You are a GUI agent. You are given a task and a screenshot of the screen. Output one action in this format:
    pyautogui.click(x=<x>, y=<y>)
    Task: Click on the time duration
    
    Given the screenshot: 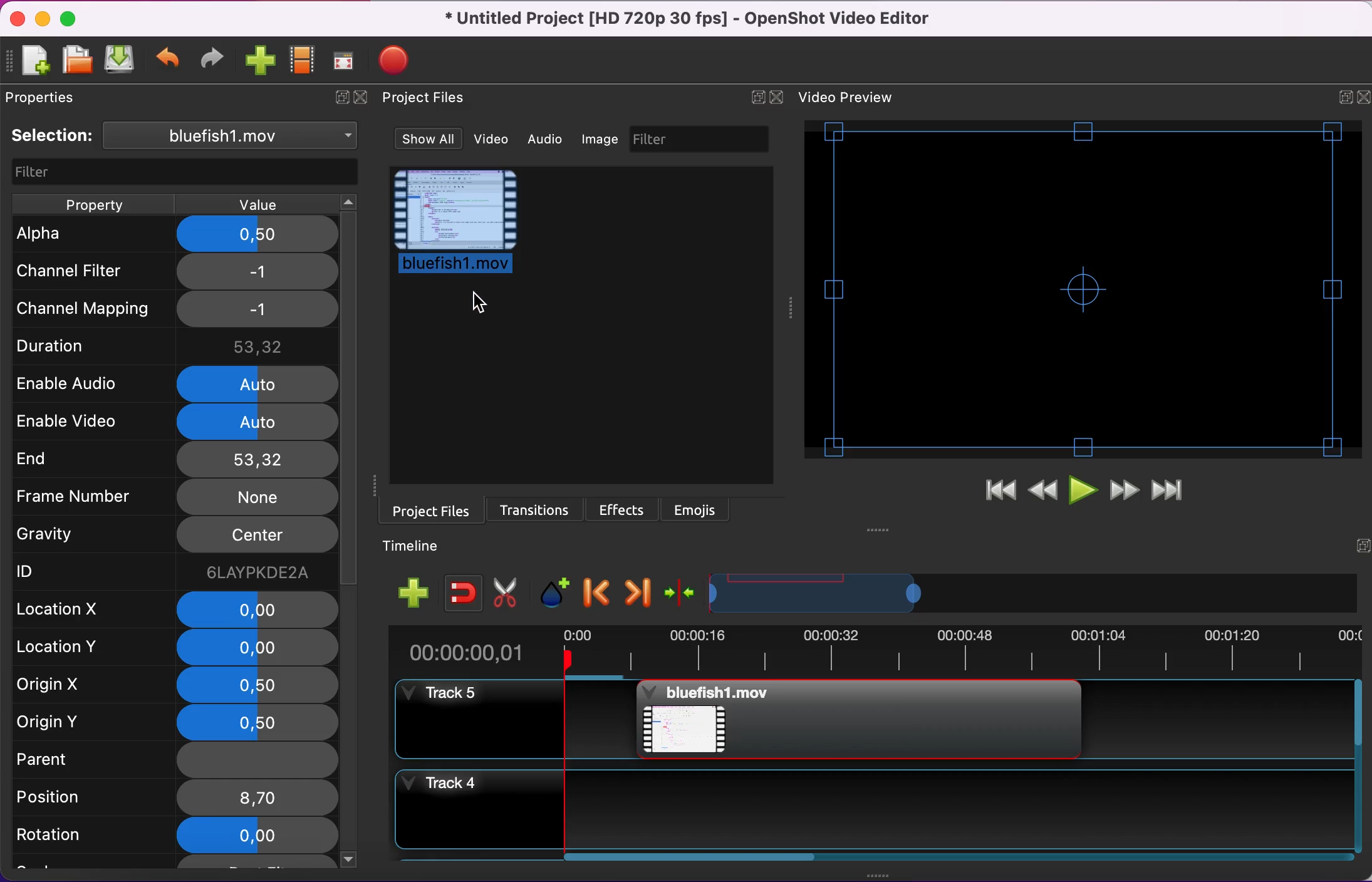 What is the action you would take?
    pyautogui.click(x=883, y=652)
    